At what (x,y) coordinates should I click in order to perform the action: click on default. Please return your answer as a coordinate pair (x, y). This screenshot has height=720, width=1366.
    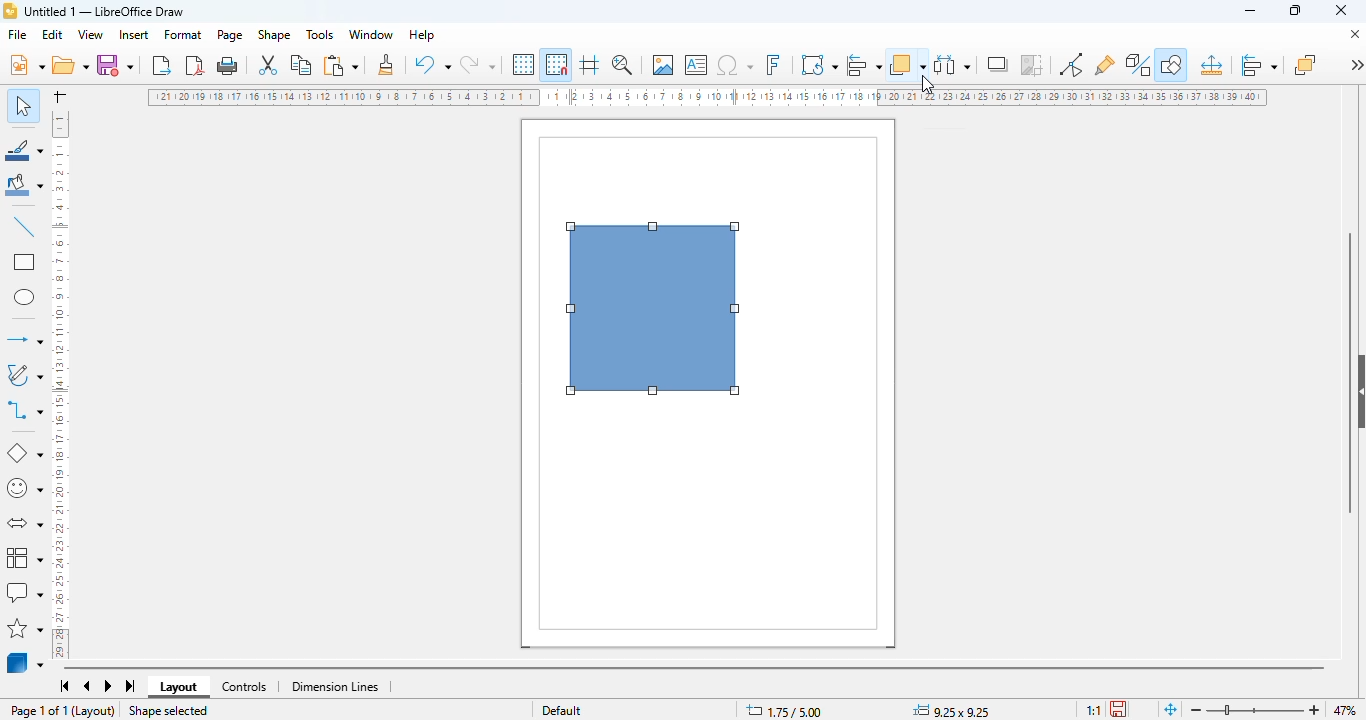
    Looking at the image, I should click on (562, 709).